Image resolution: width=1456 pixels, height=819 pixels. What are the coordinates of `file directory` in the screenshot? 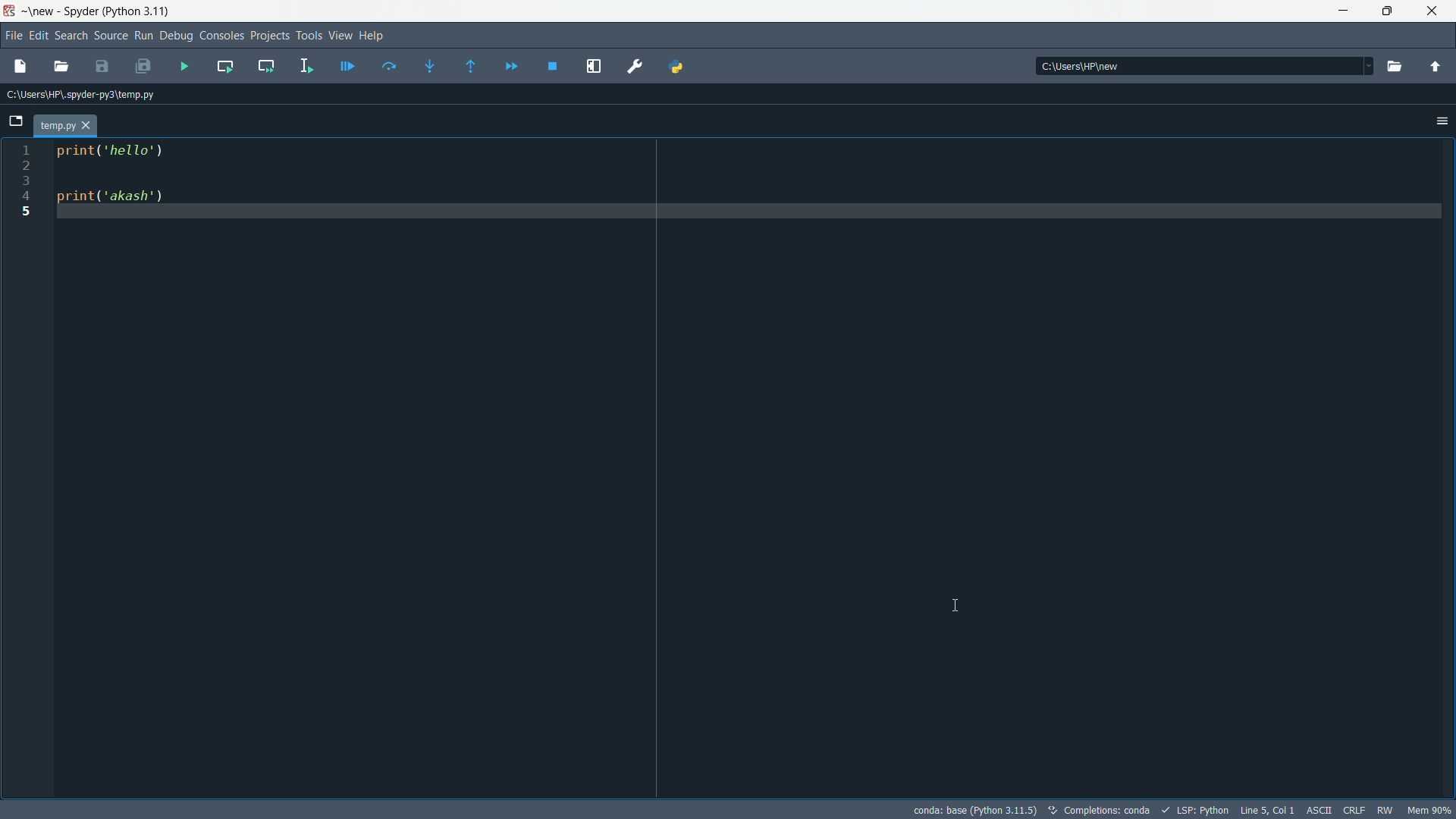 It's located at (79, 94).